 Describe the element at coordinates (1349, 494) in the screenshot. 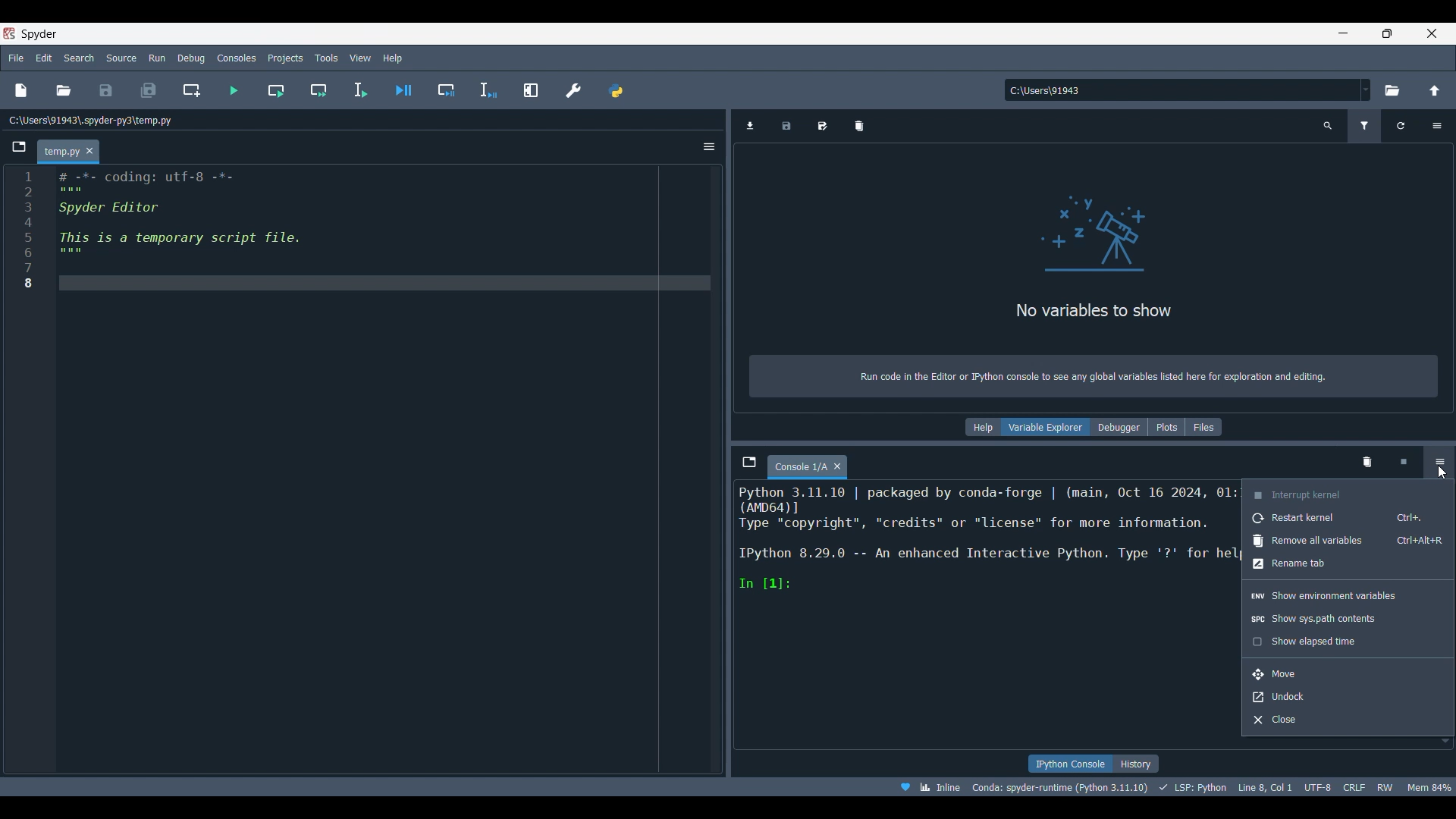

I see `Interrupt kernel` at that location.